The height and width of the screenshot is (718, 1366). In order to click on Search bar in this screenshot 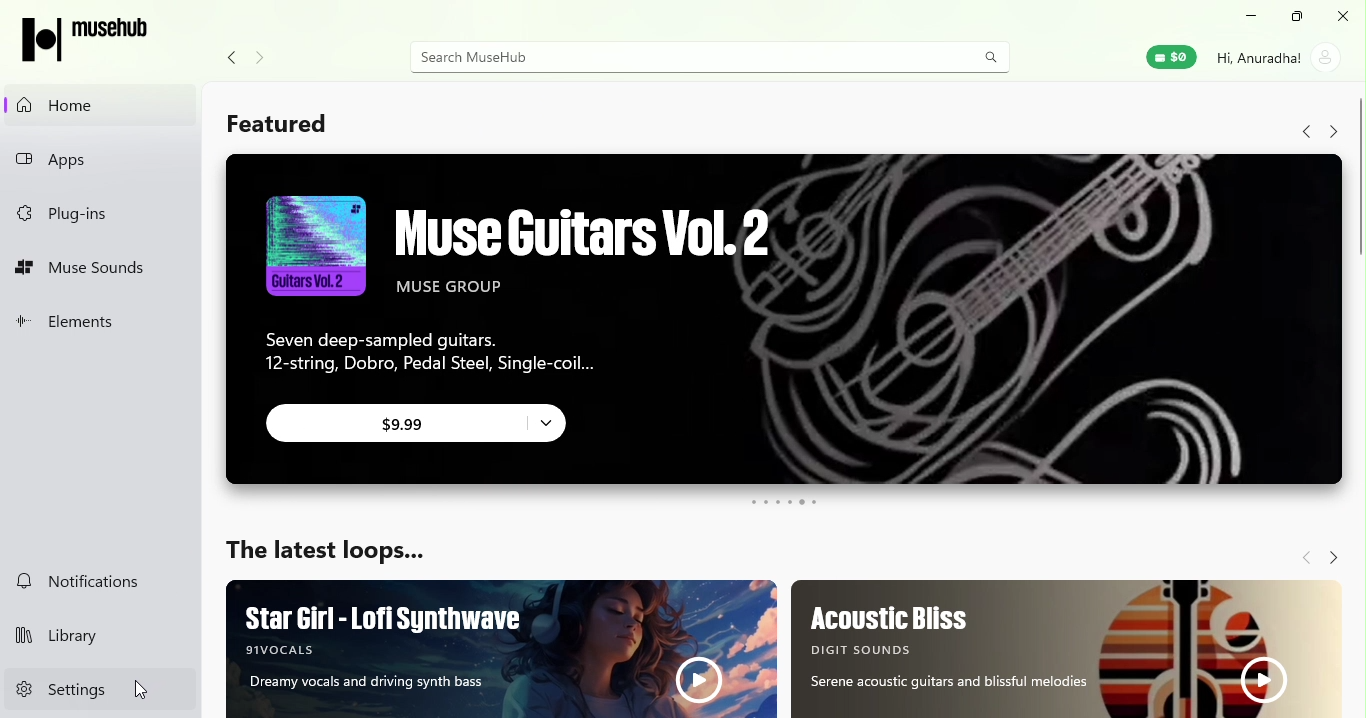, I will do `click(682, 56)`.